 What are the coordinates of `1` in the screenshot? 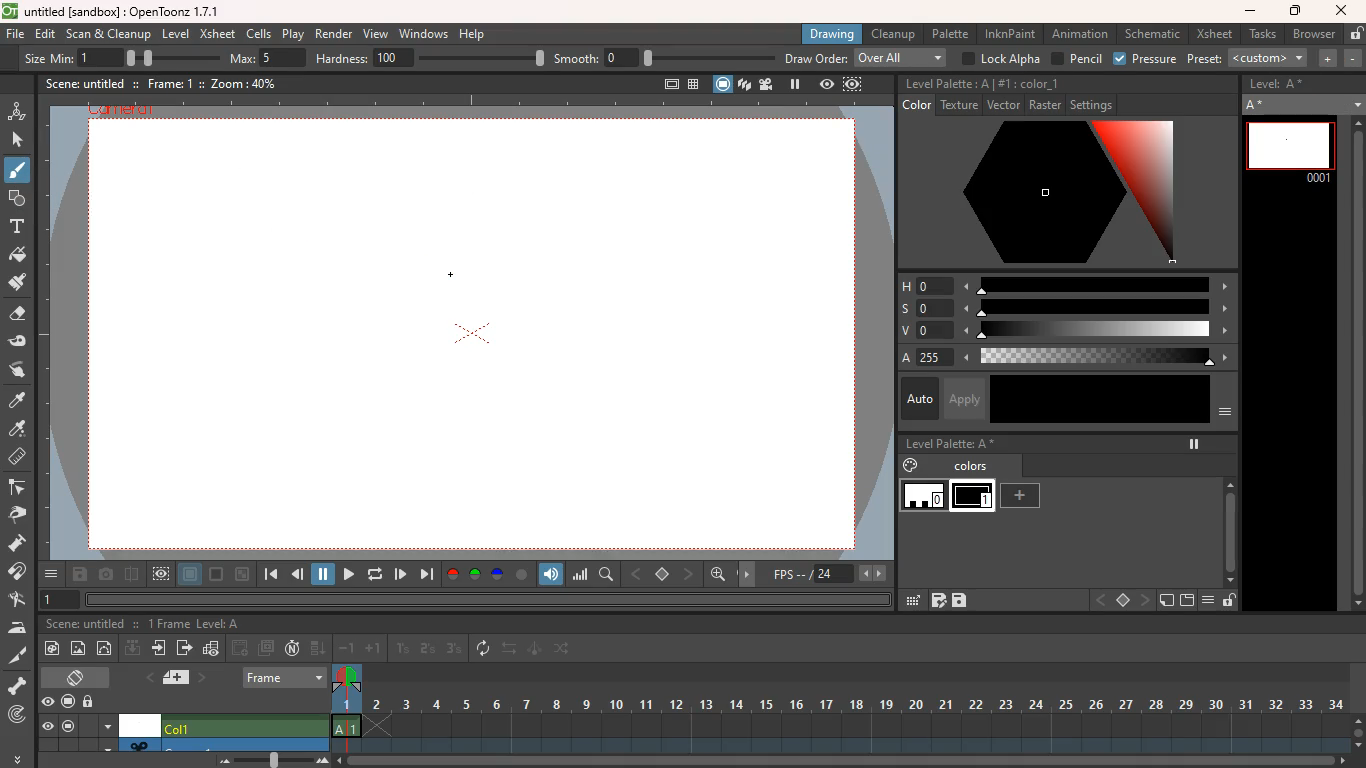 It's located at (403, 648).